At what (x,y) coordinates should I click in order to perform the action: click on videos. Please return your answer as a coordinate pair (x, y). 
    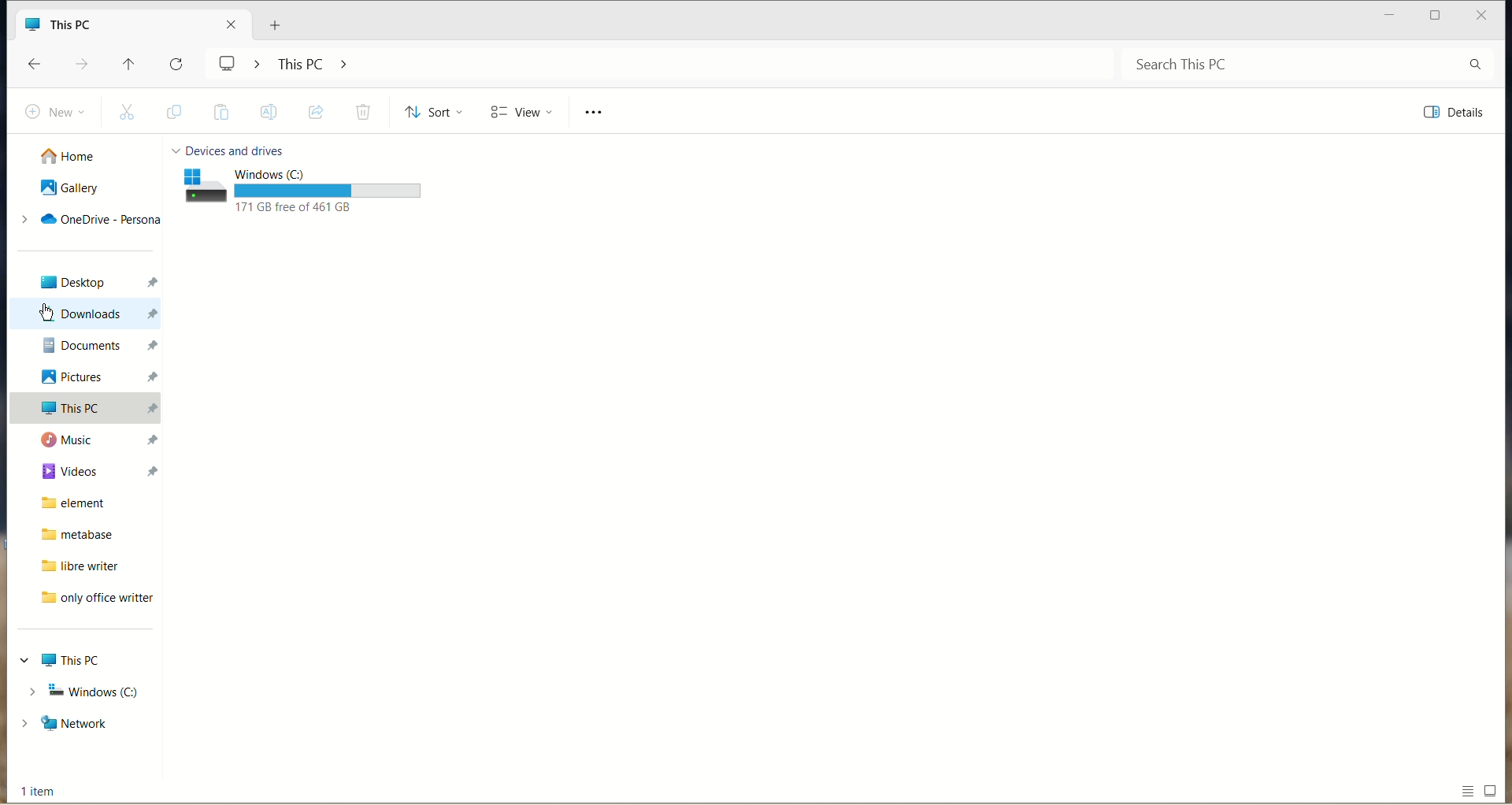
    Looking at the image, I should click on (90, 468).